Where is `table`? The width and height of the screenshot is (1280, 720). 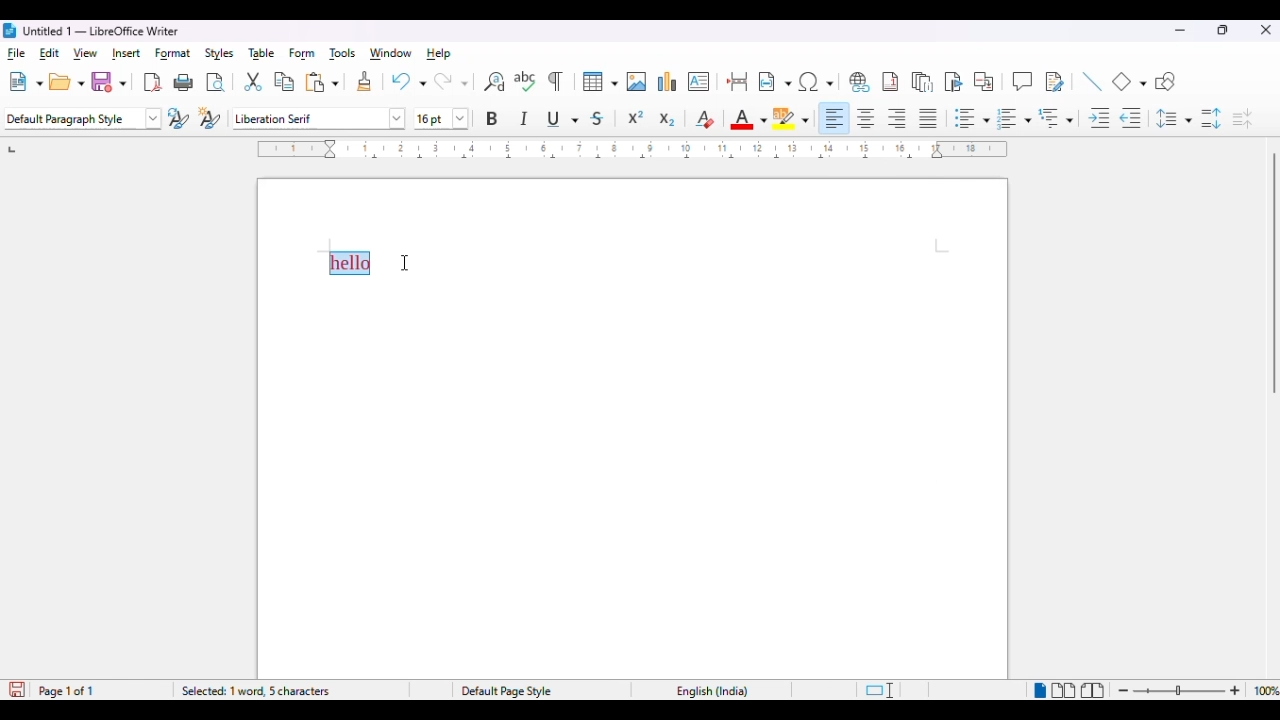
table is located at coordinates (263, 53).